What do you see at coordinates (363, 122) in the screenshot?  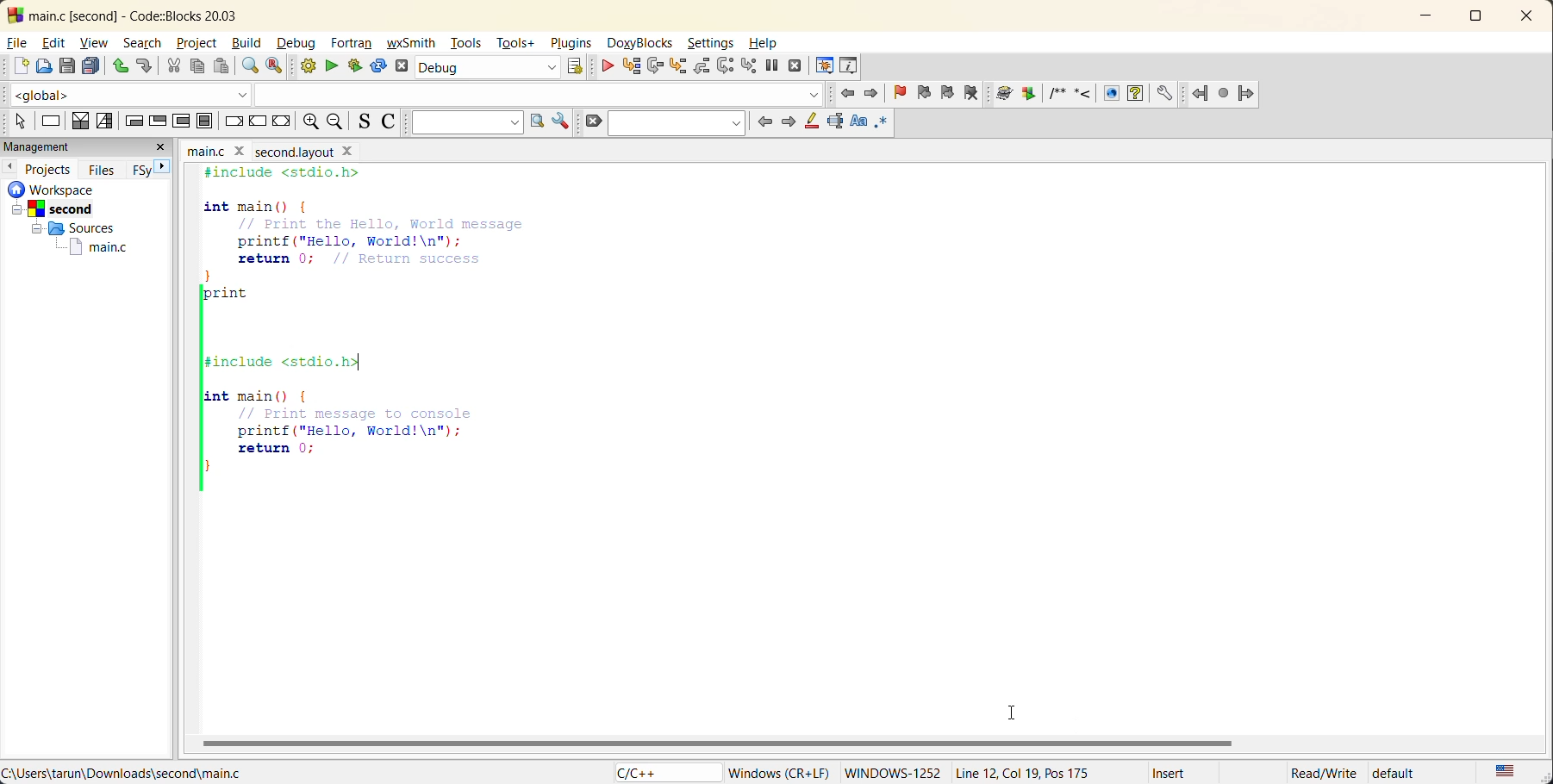 I see `toggle source` at bounding box center [363, 122].